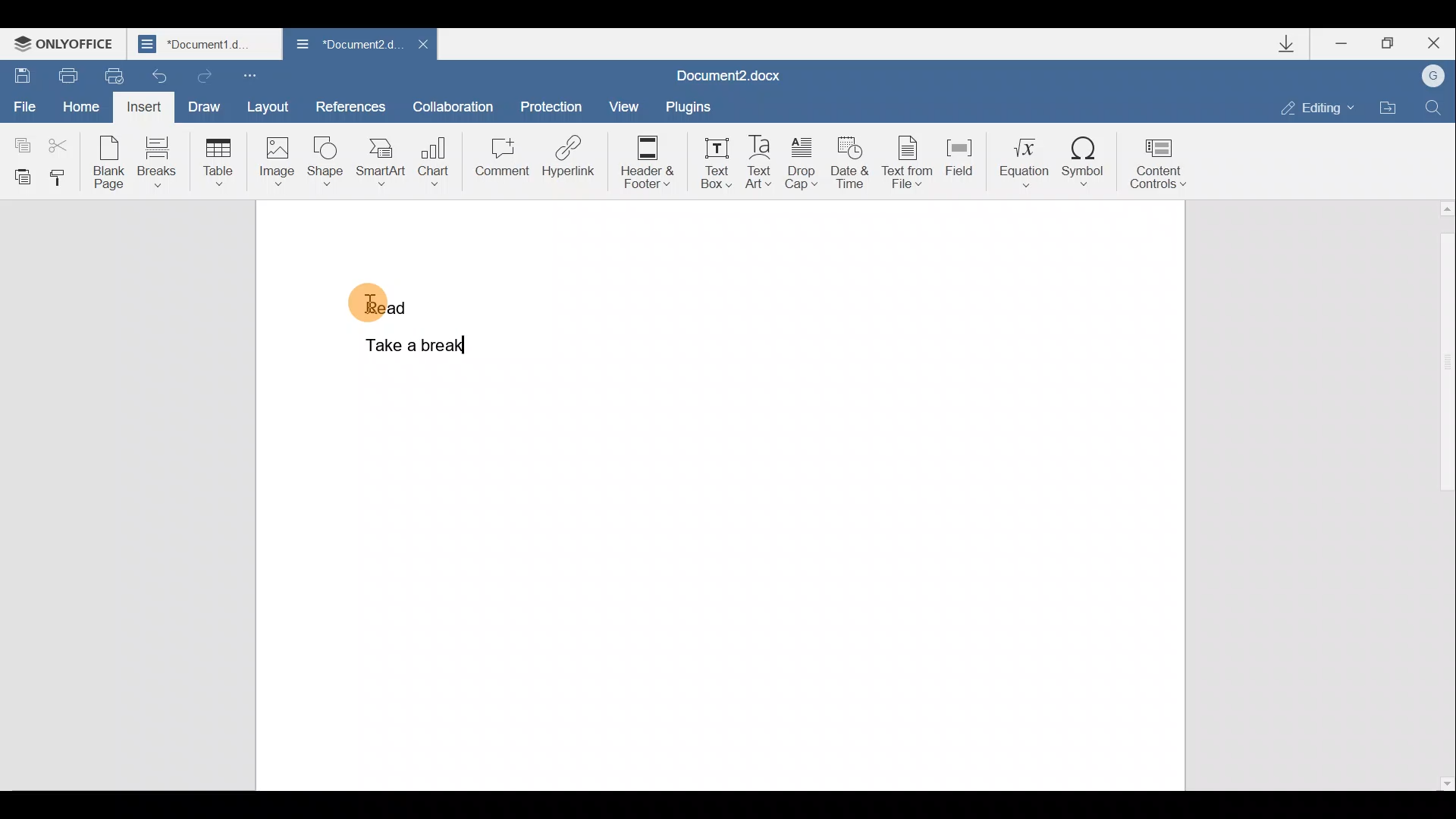 The height and width of the screenshot is (819, 1456). What do you see at coordinates (206, 45) in the screenshot?
I see `*Document1.d...` at bounding box center [206, 45].